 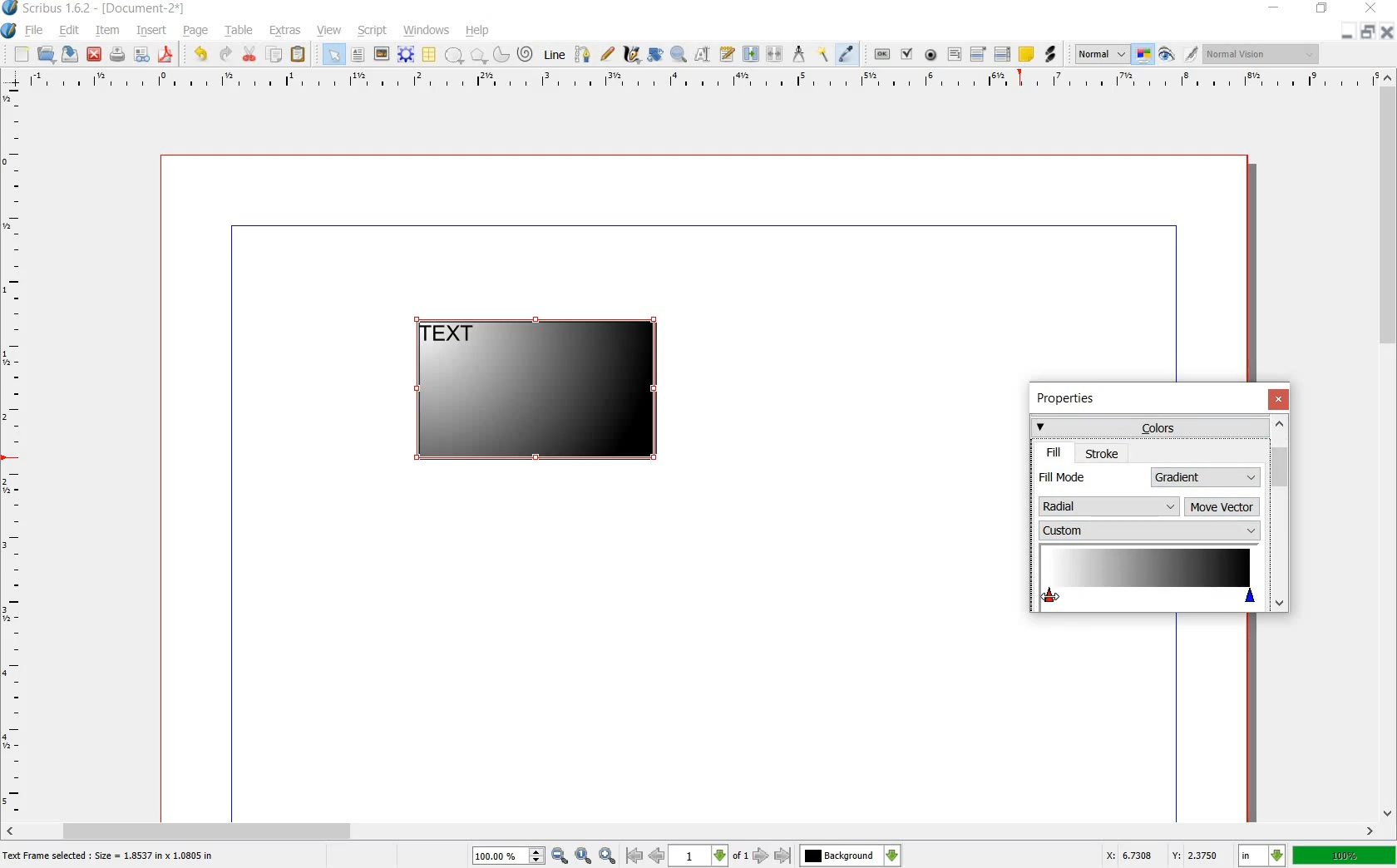 What do you see at coordinates (526, 53) in the screenshot?
I see `spiral` at bounding box center [526, 53].